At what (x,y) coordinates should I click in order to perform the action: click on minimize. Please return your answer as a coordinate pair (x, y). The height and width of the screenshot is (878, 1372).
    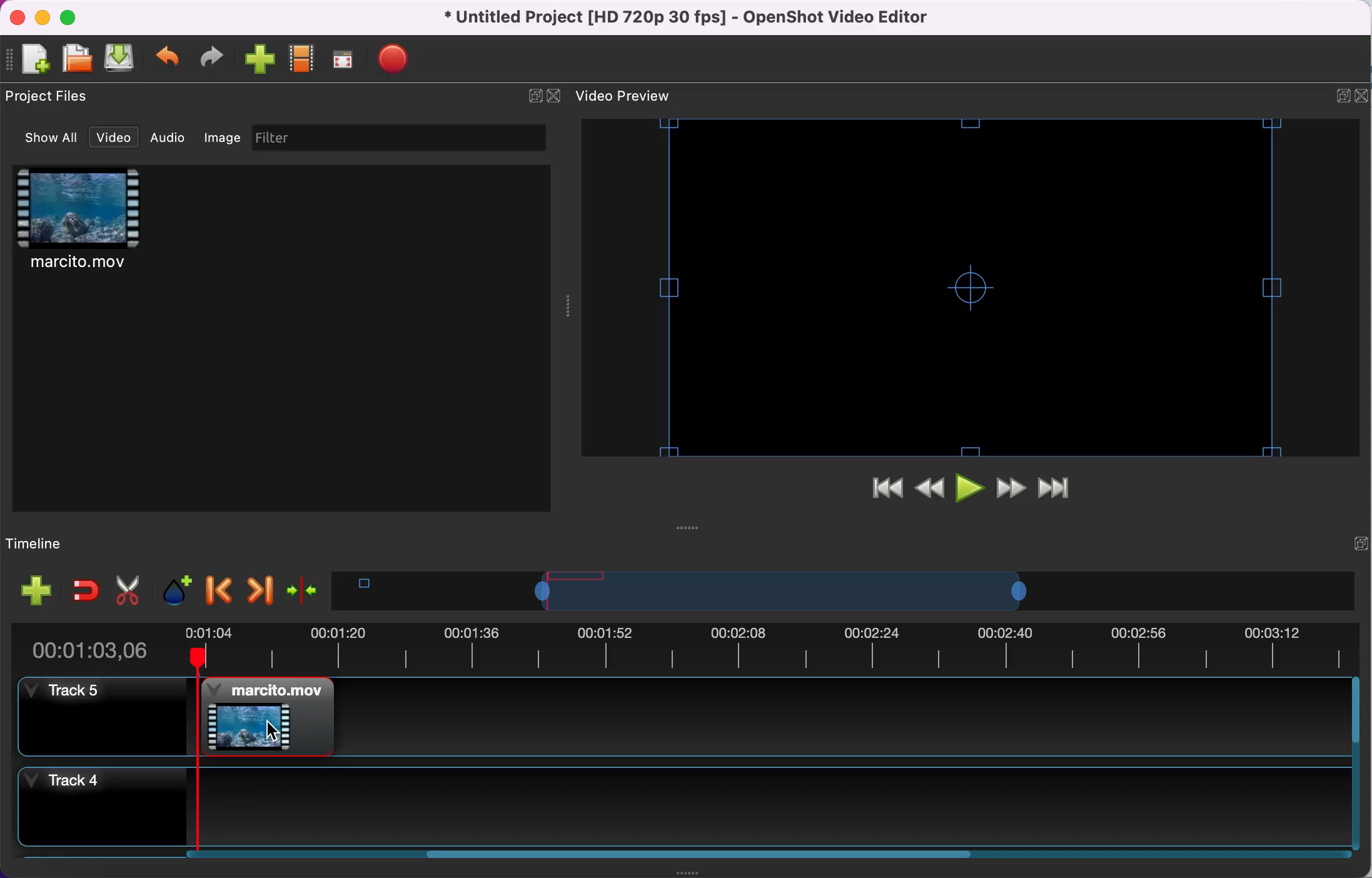
    Looking at the image, I should click on (42, 17).